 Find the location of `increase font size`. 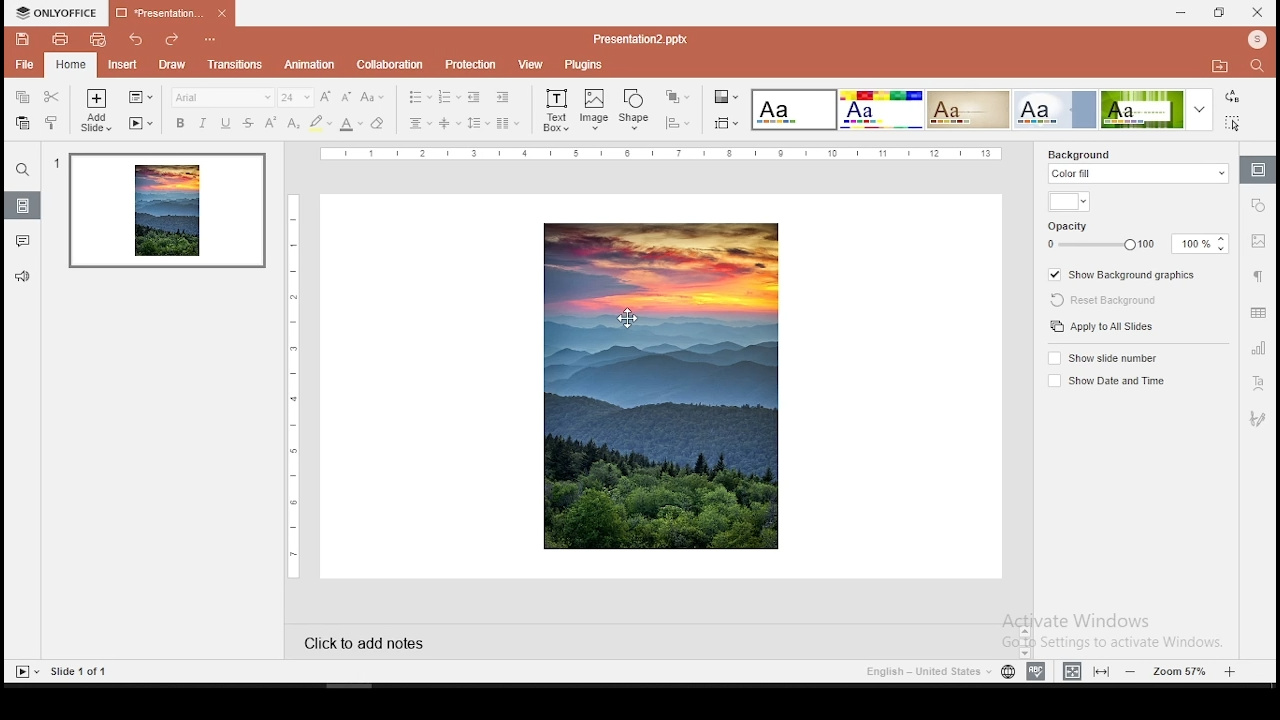

increase font size is located at coordinates (326, 96).